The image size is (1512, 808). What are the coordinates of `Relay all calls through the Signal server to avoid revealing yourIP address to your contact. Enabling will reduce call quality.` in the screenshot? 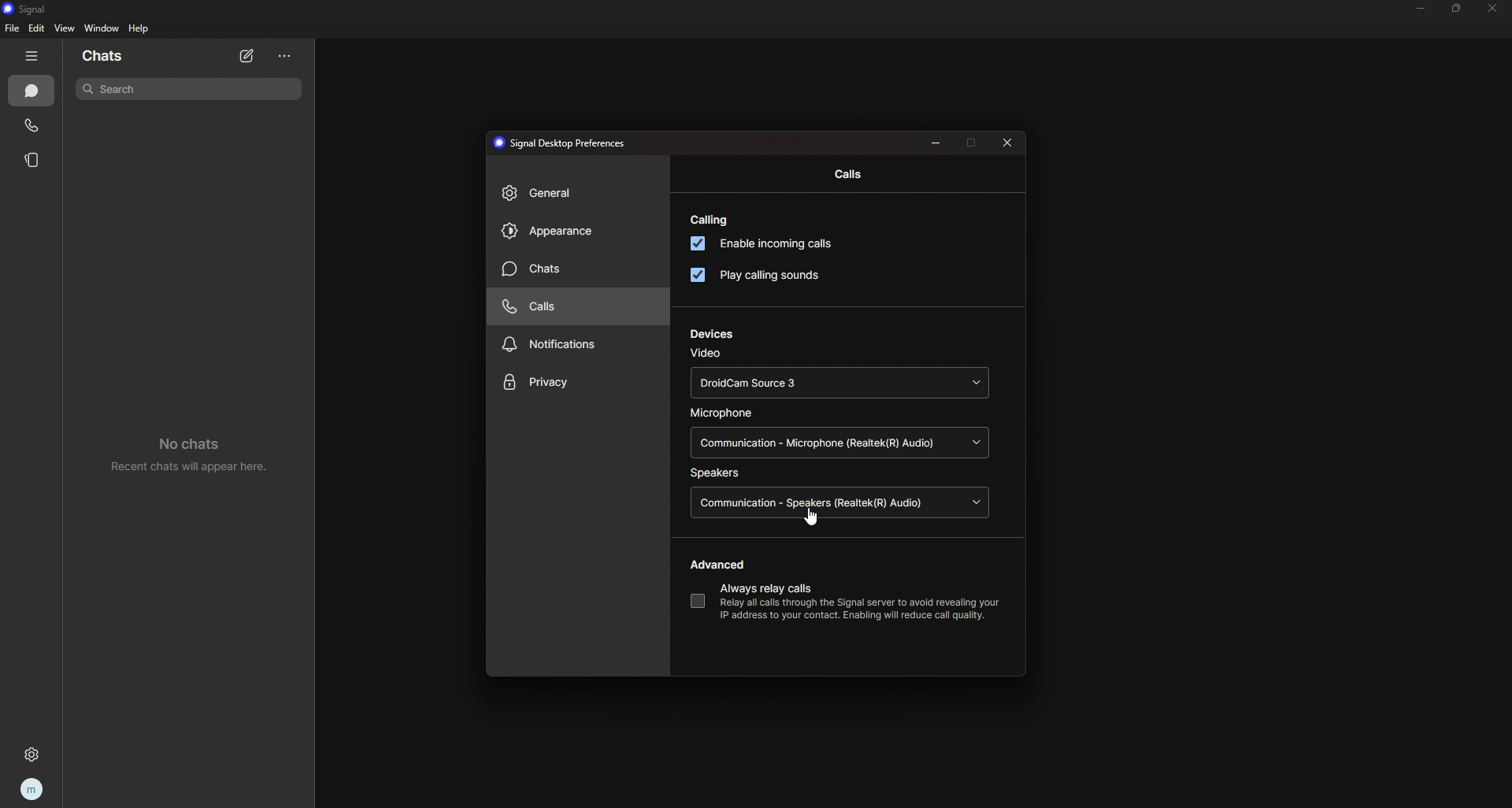 It's located at (862, 610).